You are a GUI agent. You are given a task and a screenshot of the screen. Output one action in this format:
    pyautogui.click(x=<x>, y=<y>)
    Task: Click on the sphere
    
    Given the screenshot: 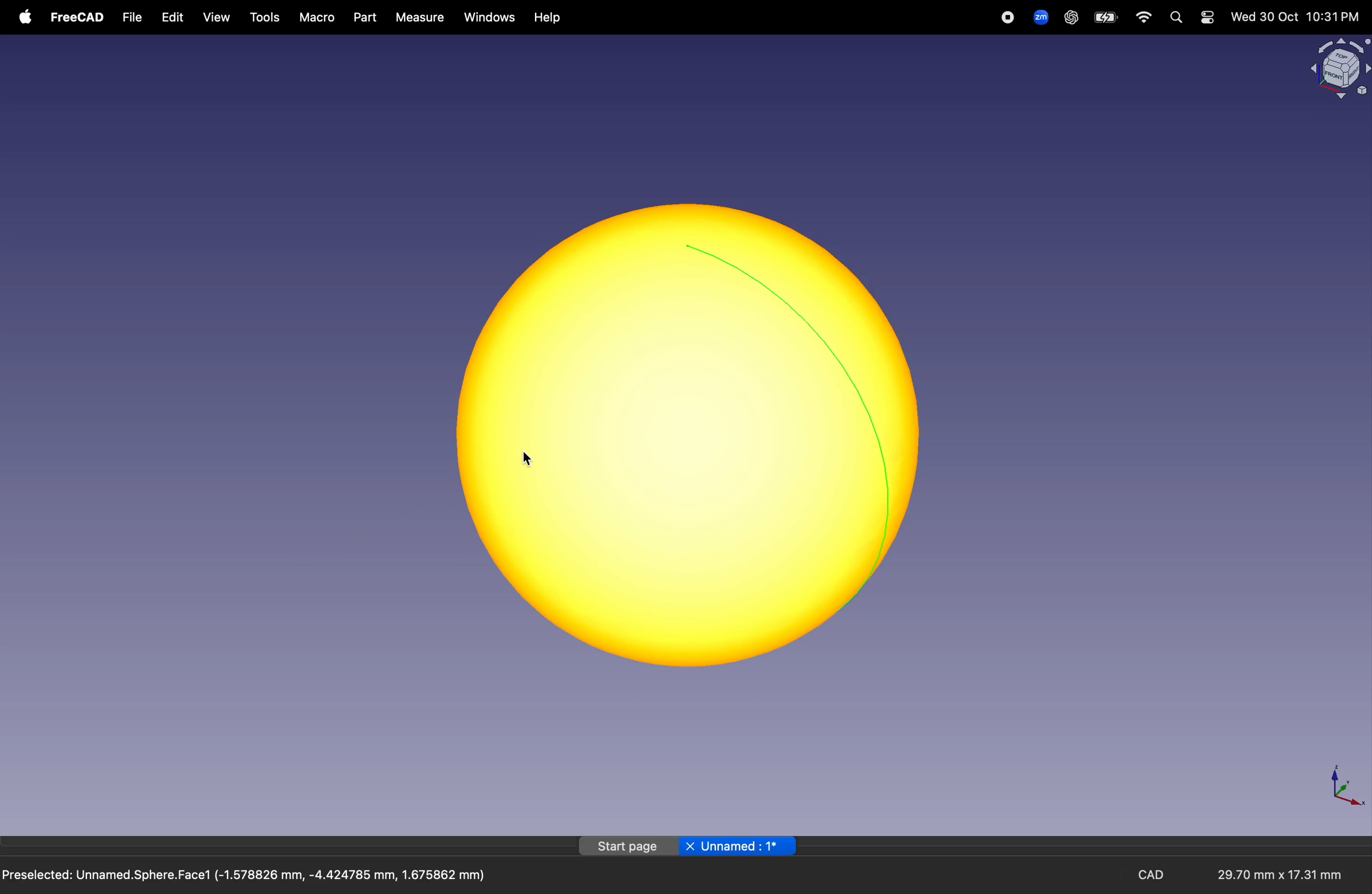 What is the action you would take?
    pyautogui.click(x=685, y=437)
    